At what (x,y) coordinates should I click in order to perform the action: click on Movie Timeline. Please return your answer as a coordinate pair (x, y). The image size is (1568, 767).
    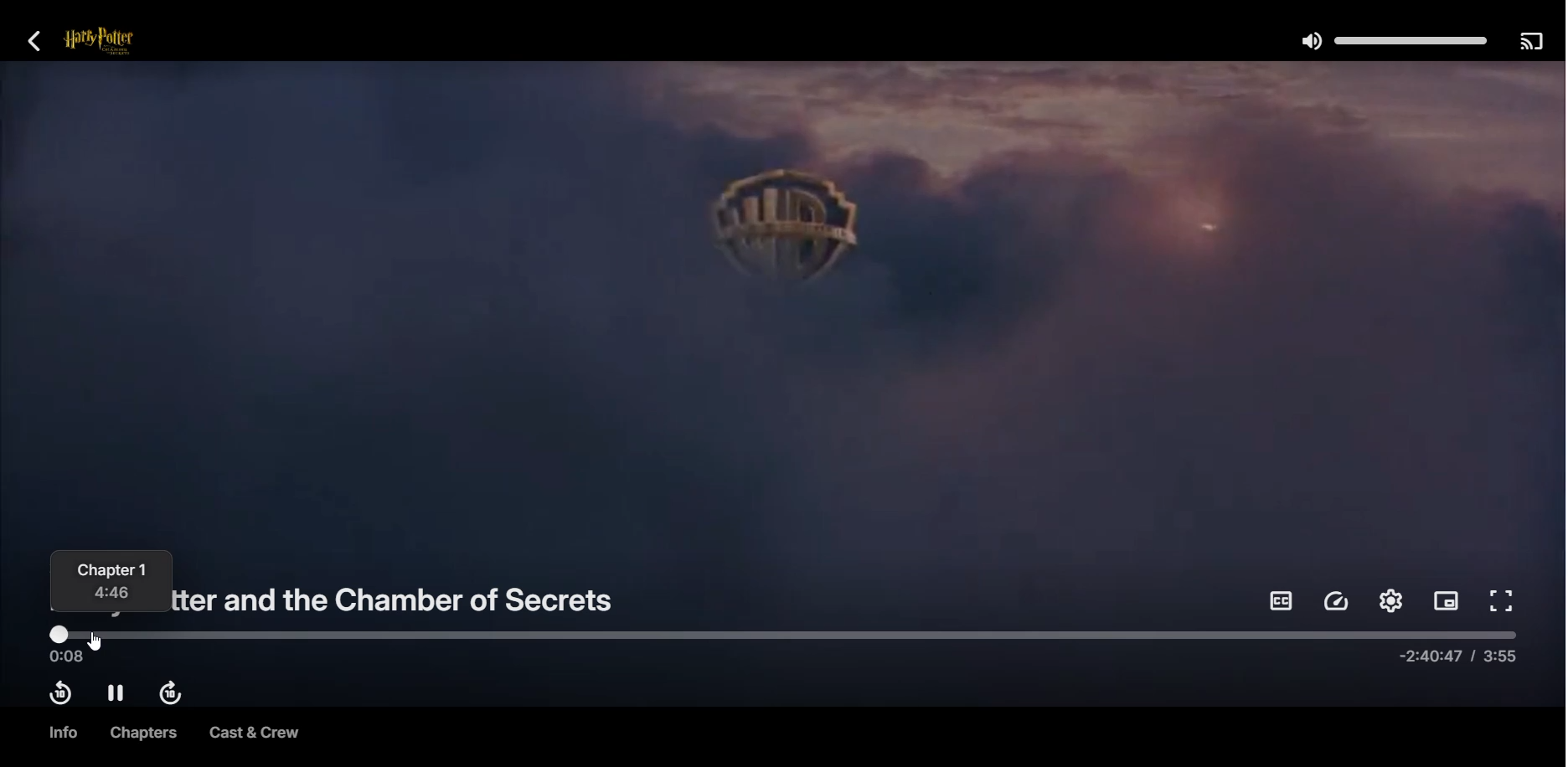
    Looking at the image, I should click on (783, 646).